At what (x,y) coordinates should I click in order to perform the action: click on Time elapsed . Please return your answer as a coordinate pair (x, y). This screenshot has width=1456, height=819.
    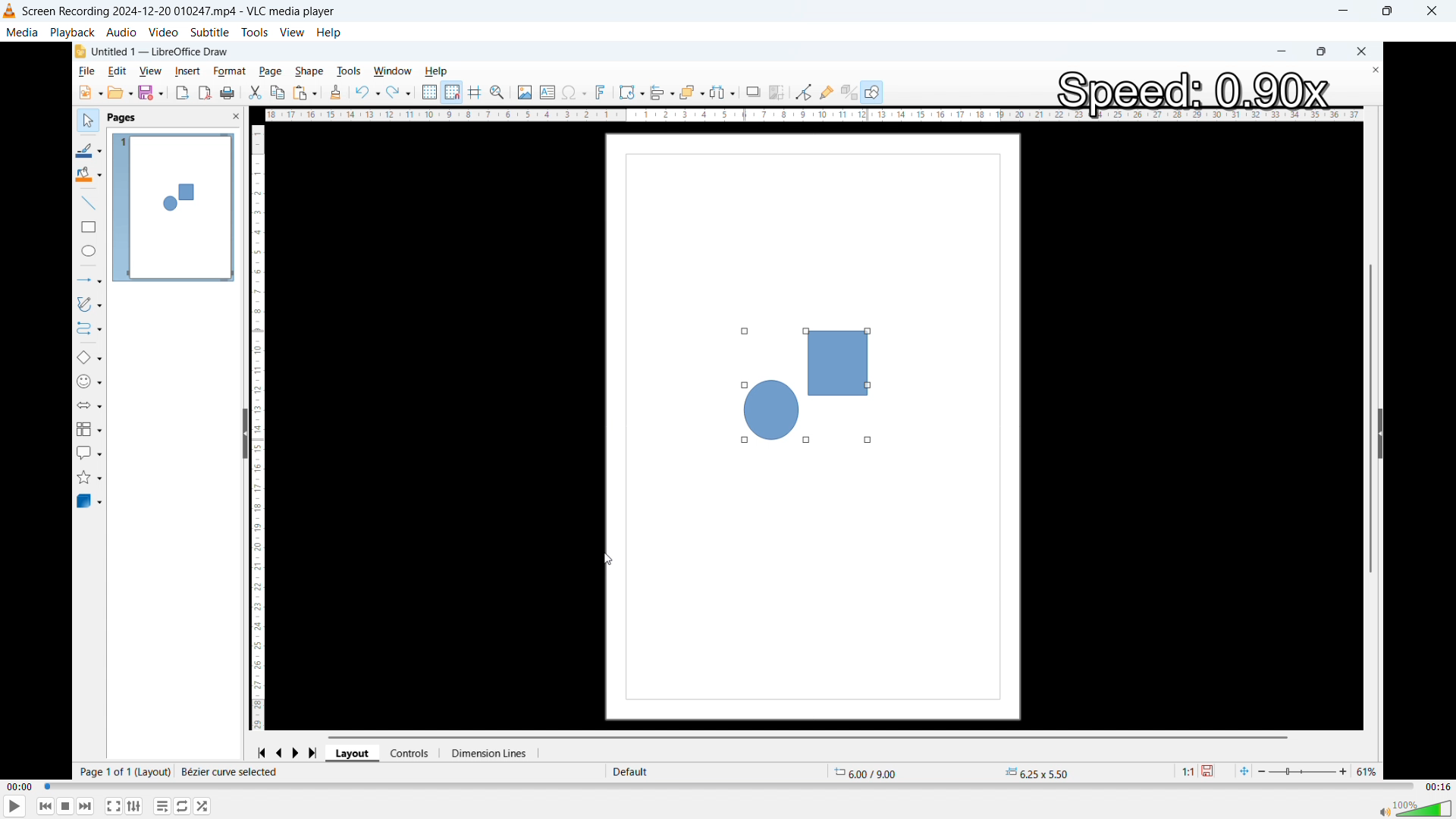
    Looking at the image, I should click on (20, 786).